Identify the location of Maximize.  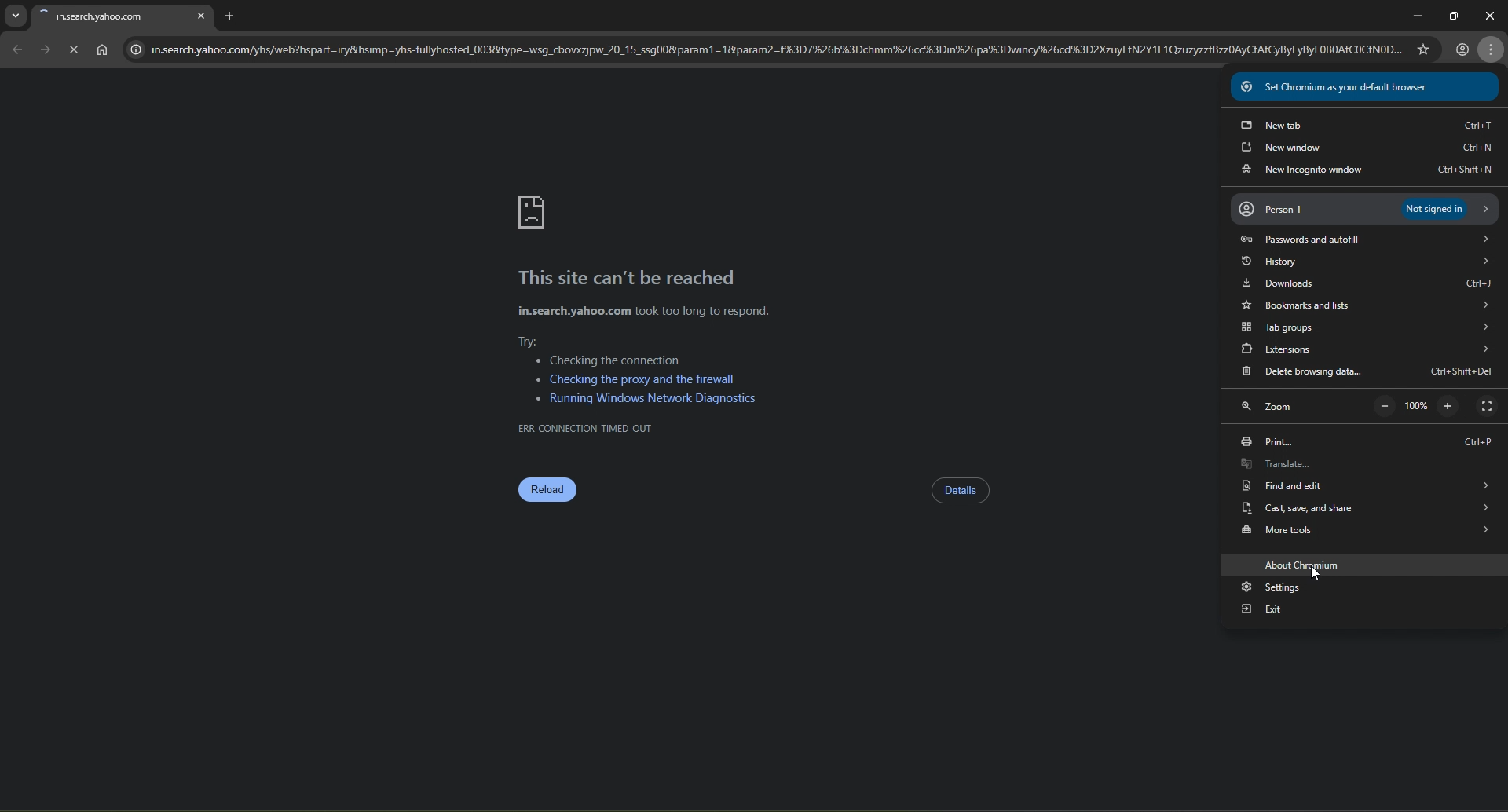
(1451, 13).